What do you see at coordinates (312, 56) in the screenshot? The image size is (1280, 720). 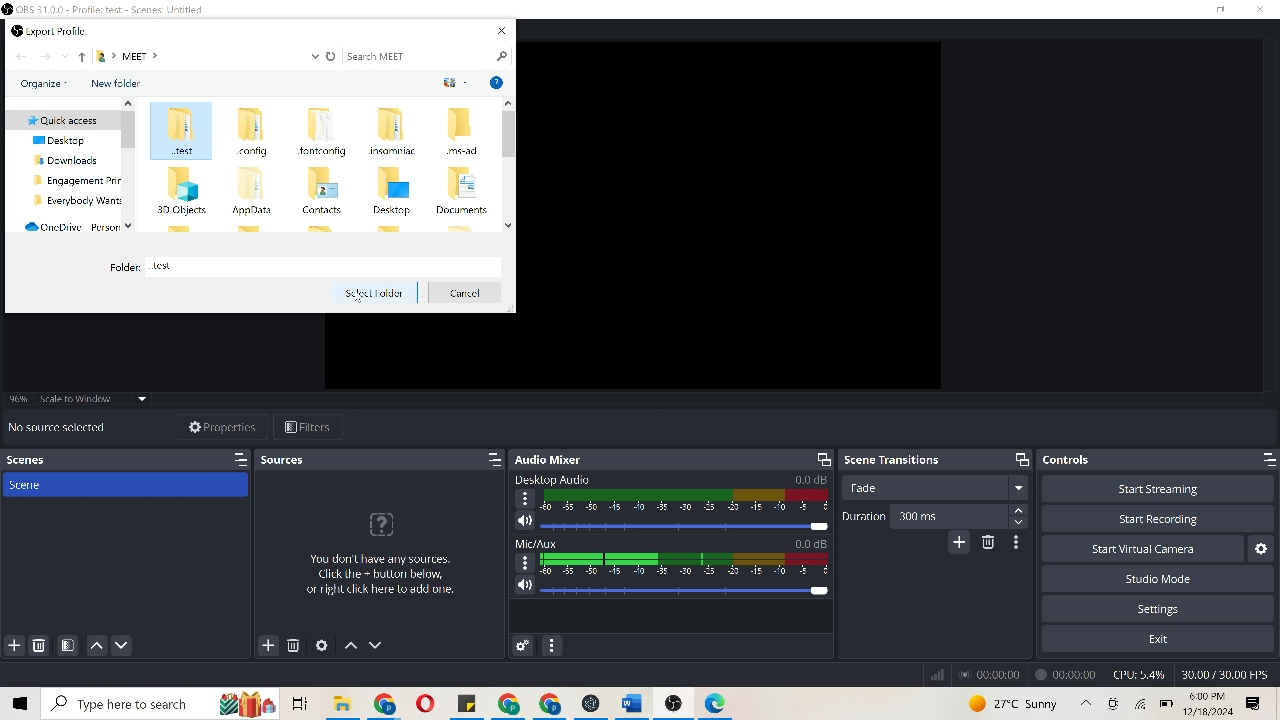 I see `drop down` at bounding box center [312, 56].